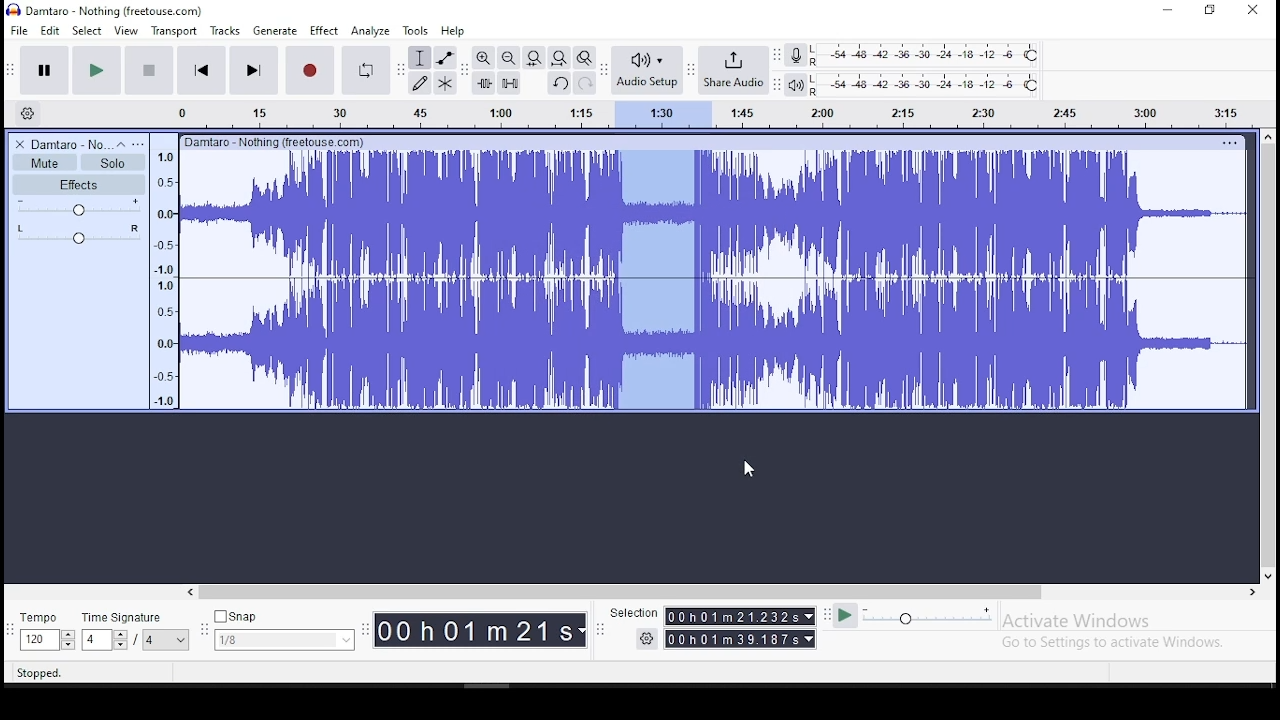 Image resolution: width=1280 pixels, height=720 pixels. Describe the element at coordinates (344, 640) in the screenshot. I see `drop down` at that location.